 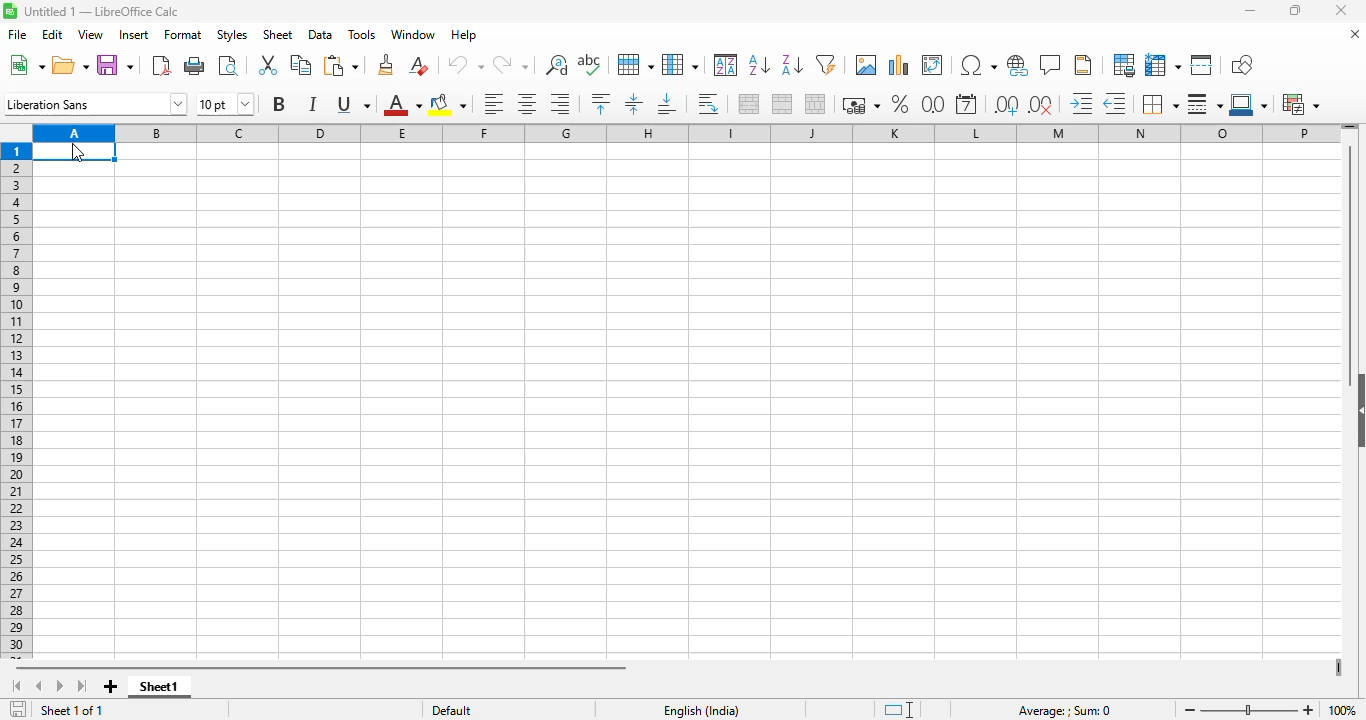 What do you see at coordinates (826, 64) in the screenshot?
I see `AutoFilter` at bounding box center [826, 64].